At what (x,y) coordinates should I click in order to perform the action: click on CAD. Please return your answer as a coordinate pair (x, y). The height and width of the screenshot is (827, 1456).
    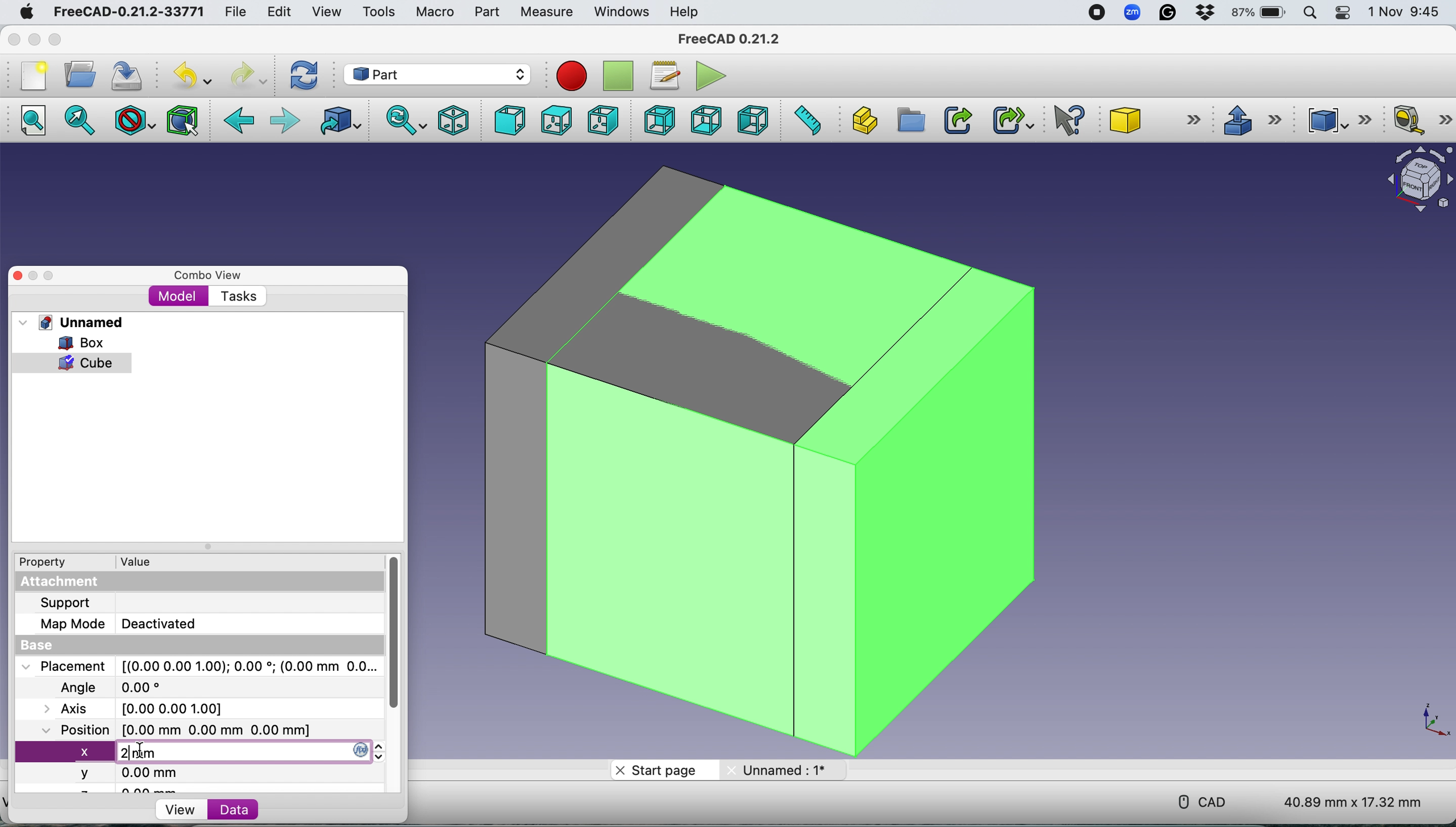
    Looking at the image, I should click on (1197, 800).